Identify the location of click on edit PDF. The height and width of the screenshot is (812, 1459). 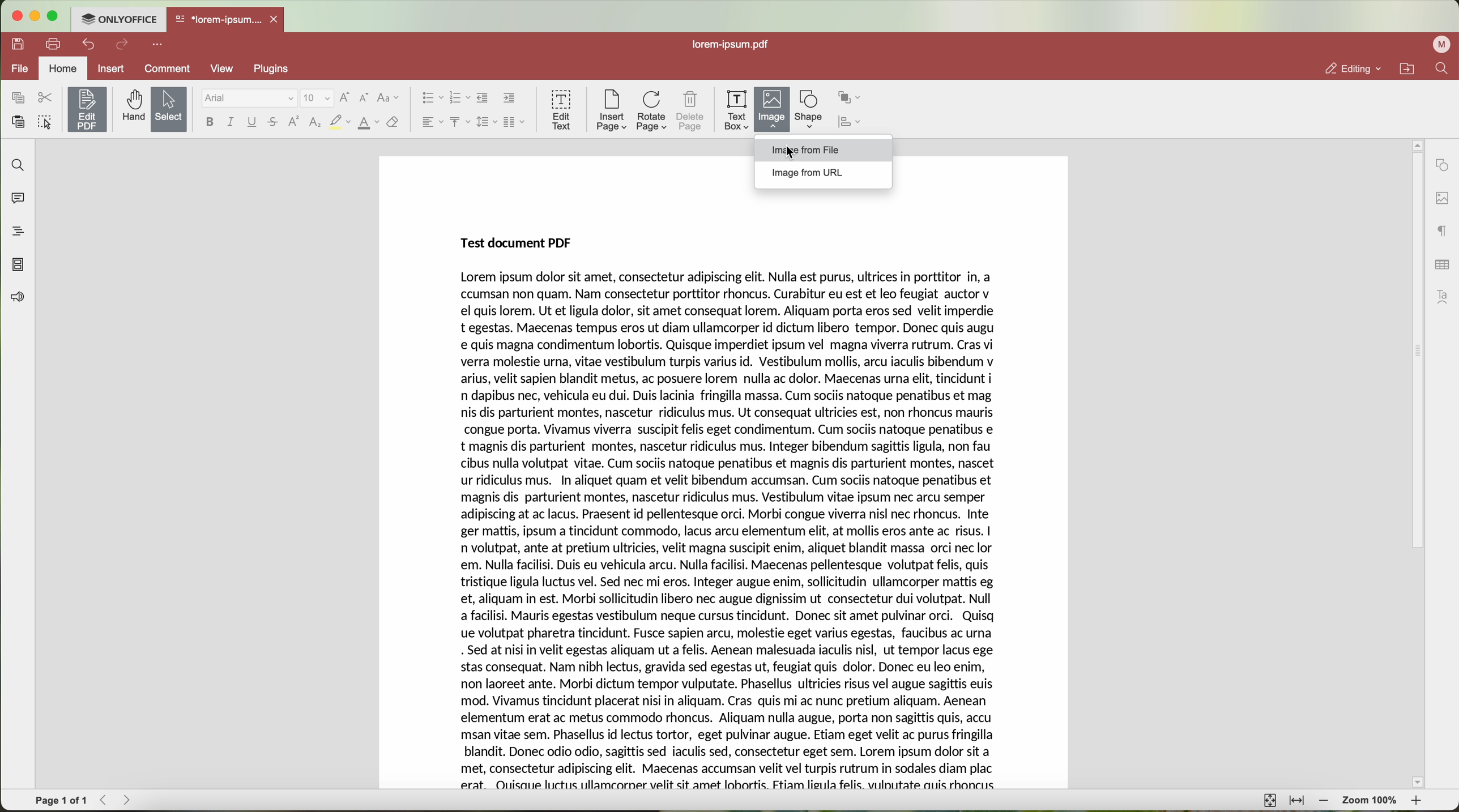
(88, 111).